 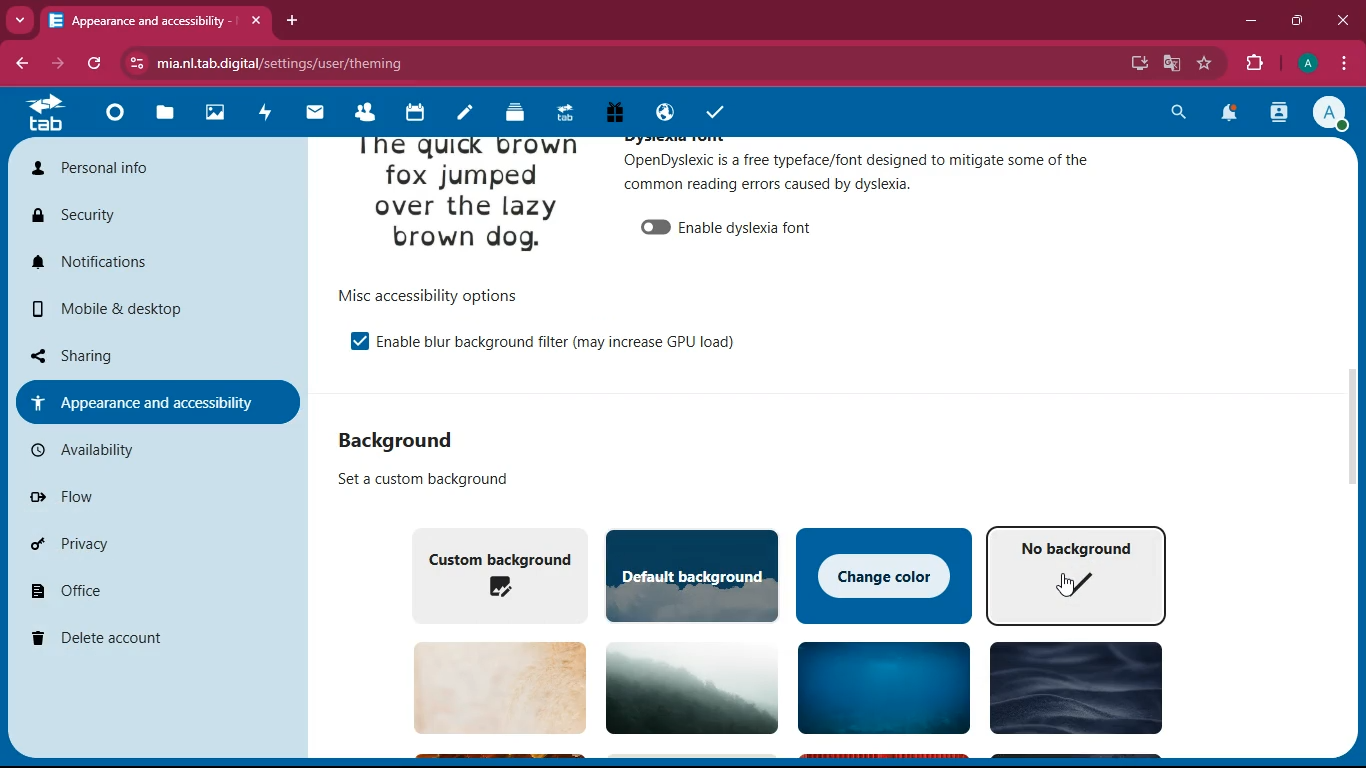 I want to click on images, so click(x=213, y=111).